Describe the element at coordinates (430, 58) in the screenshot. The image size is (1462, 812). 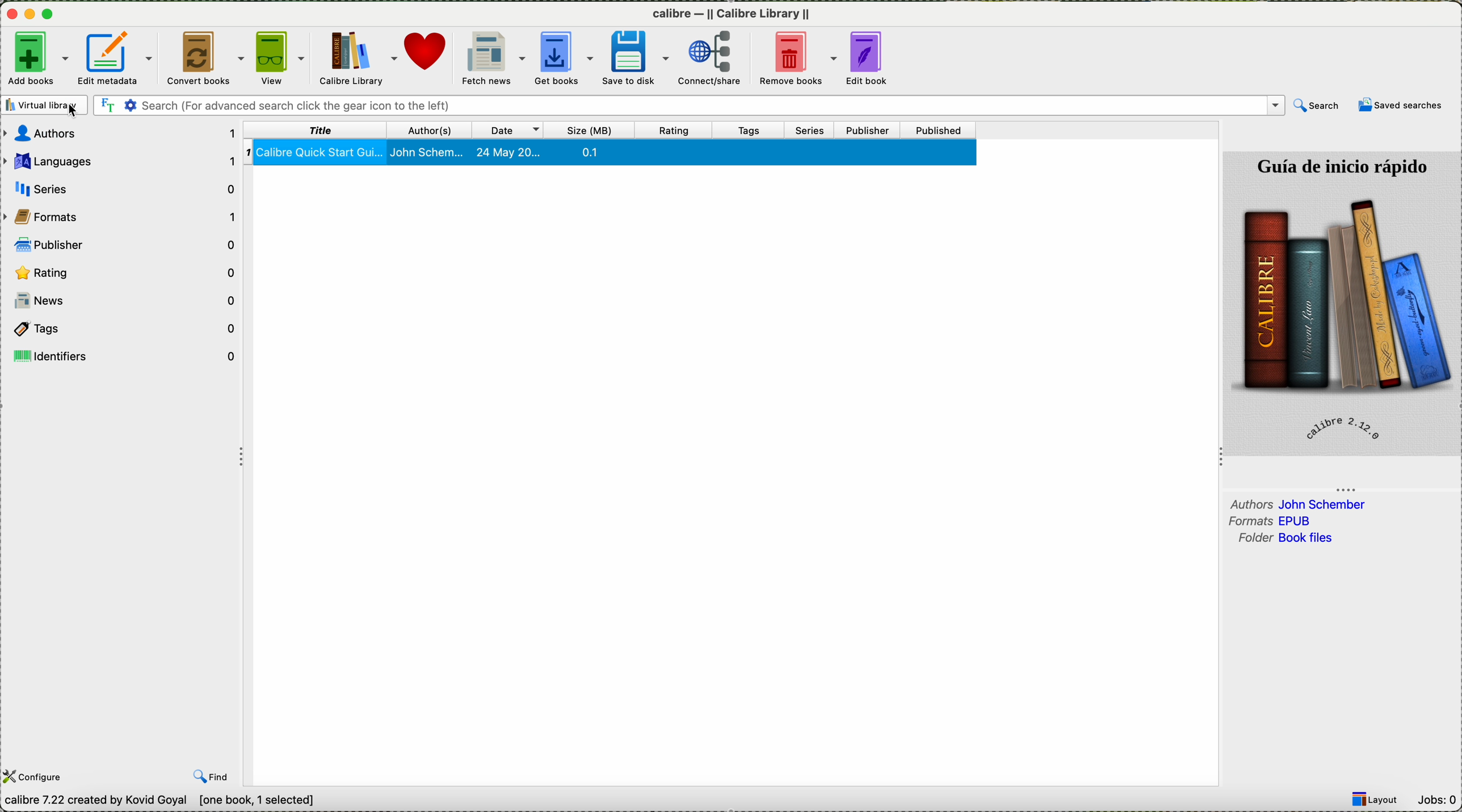
I see `donate` at that location.